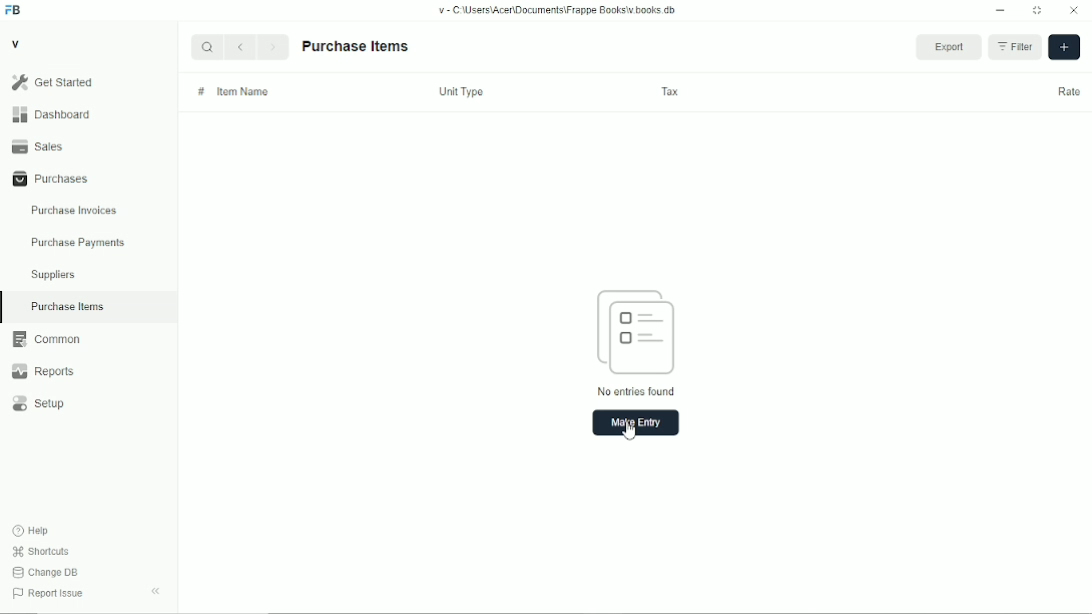  I want to click on add, so click(1064, 47).